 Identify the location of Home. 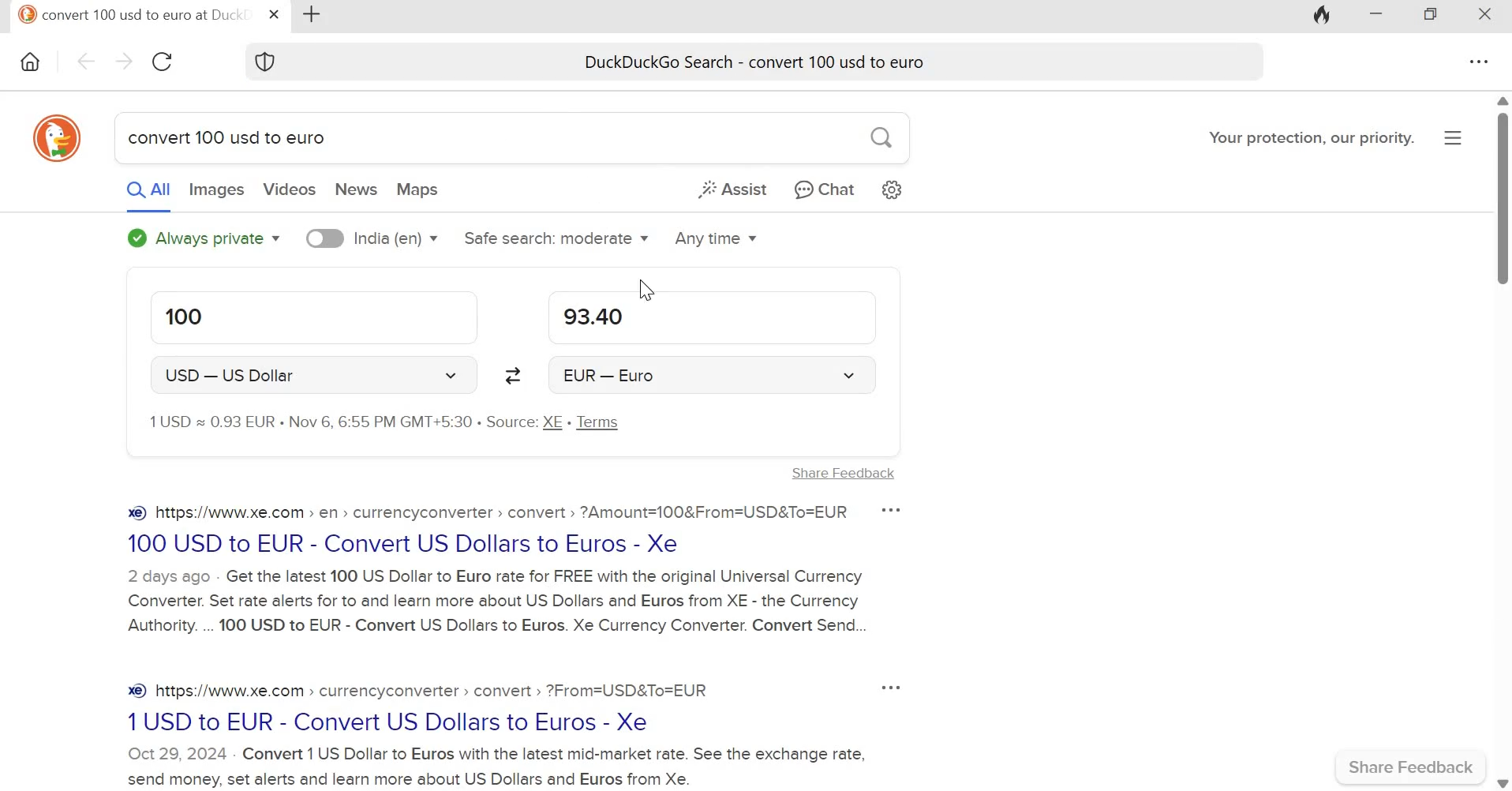
(32, 58).